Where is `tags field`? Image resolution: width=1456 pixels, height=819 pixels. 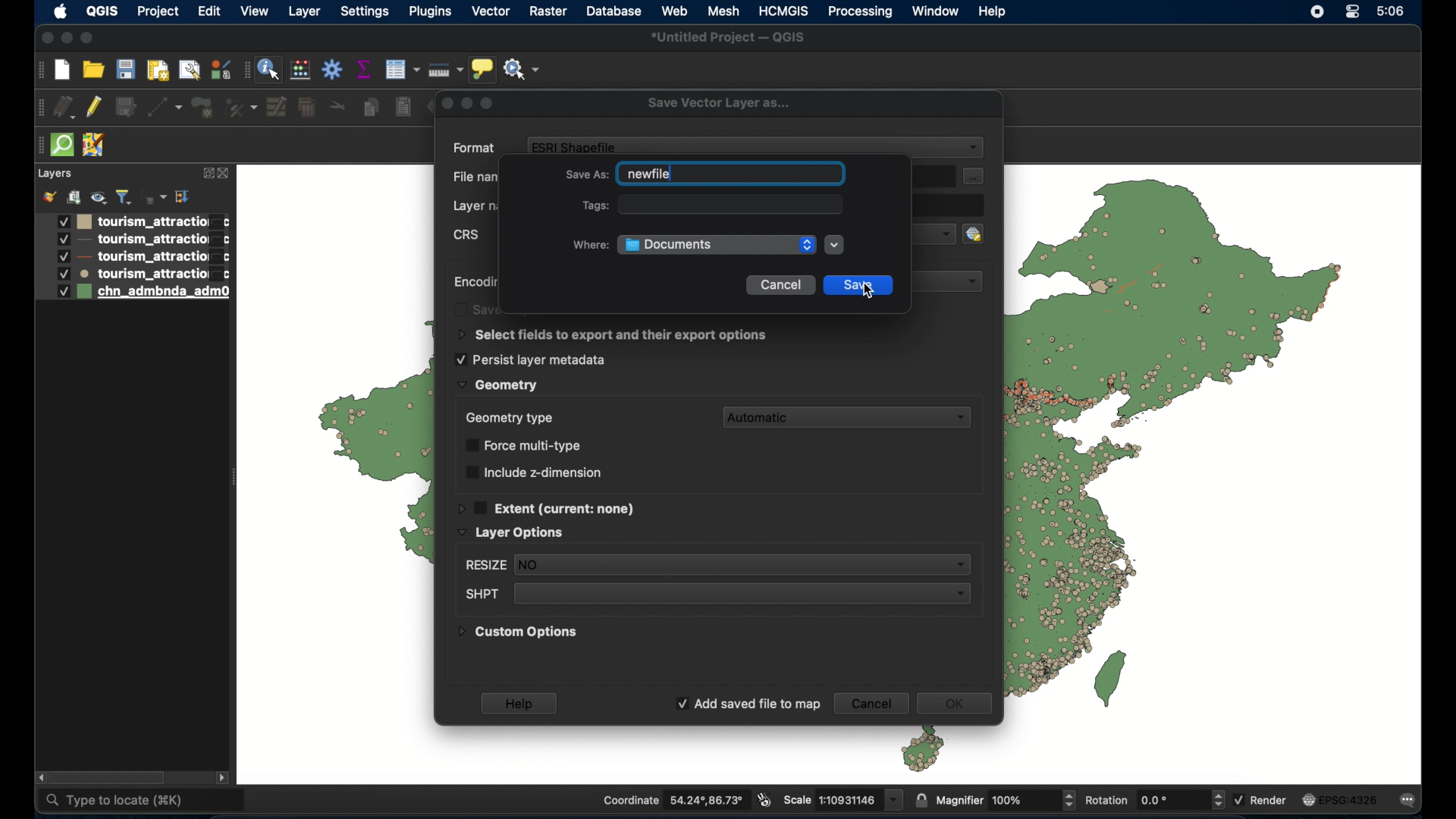
tags field is located at coordinates (714, 205).